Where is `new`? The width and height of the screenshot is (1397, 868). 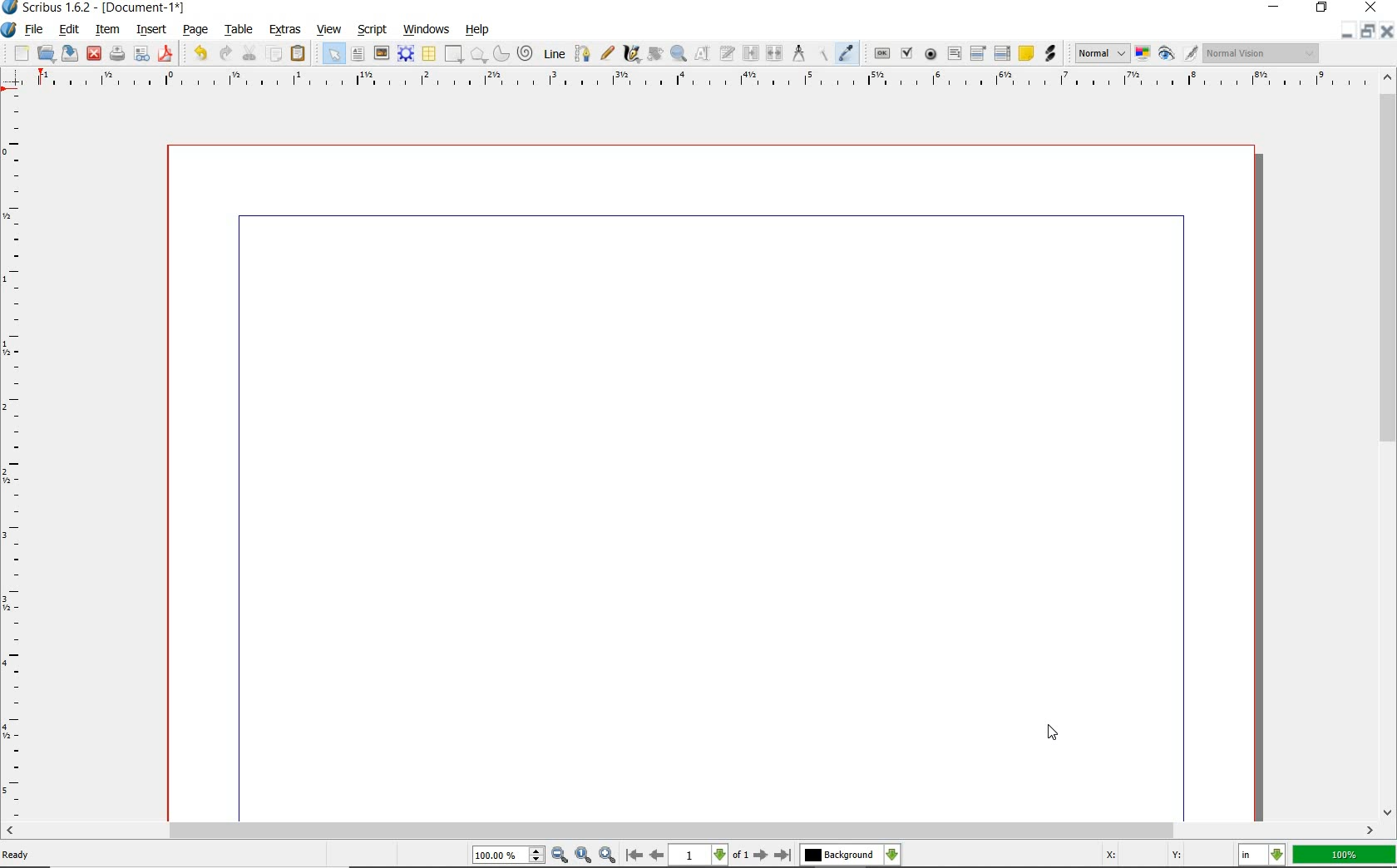
new is located at coordinates (21, 54).